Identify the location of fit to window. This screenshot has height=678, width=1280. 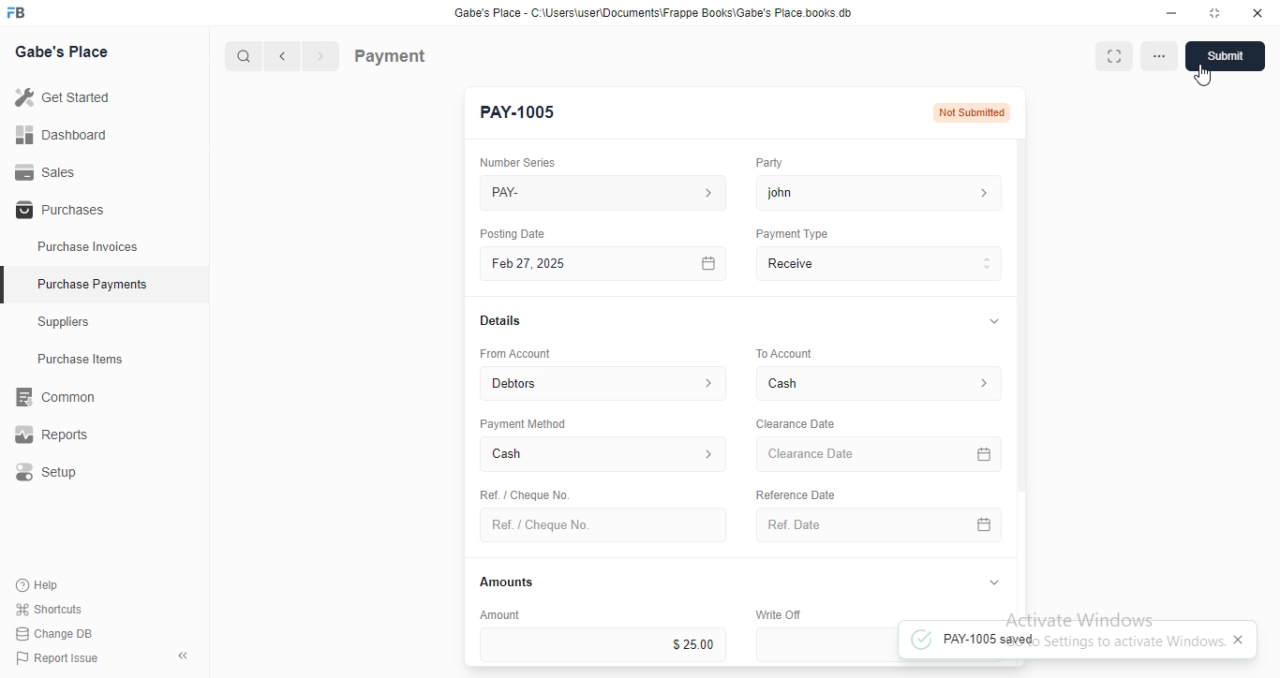
(1115, 58).